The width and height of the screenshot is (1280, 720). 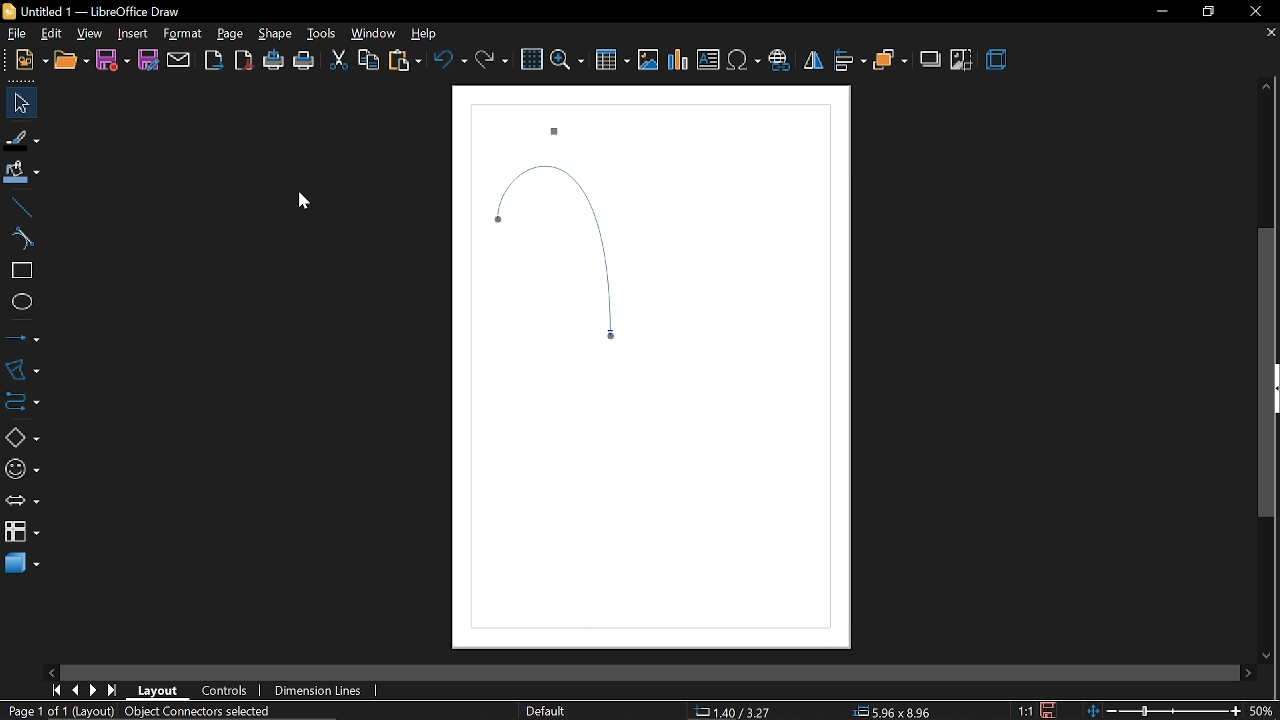 What do you see at coordinates (1027, 711) in the screenshot?
I see `1:1` at bounding box center [1027, 711].